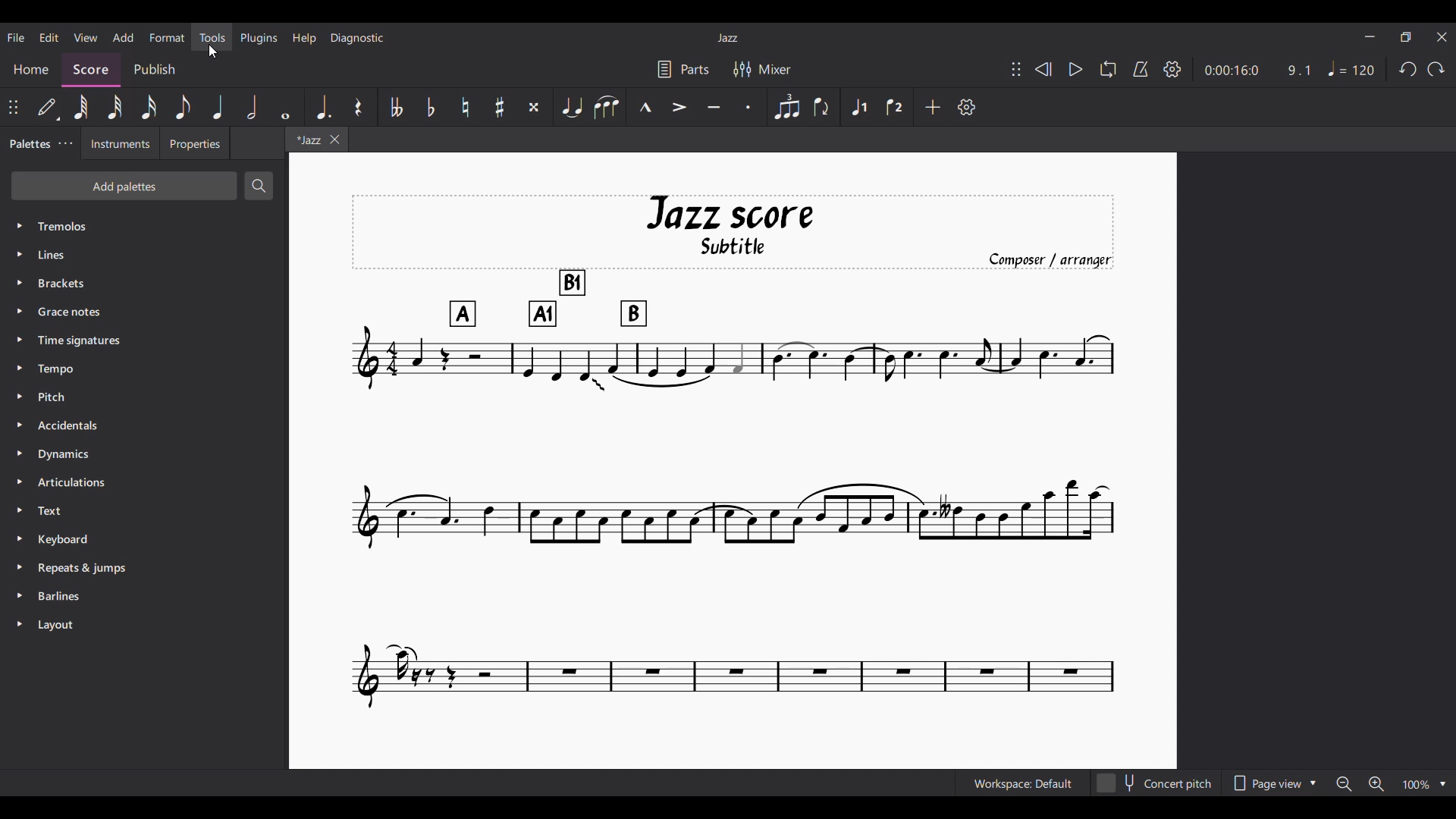 The height and width of the screenshot is (819, 1456). What do you see at coordinates (91, 71) in the screenshot?
I see `Score, current section highlighted` at bounding box center [91, 71].